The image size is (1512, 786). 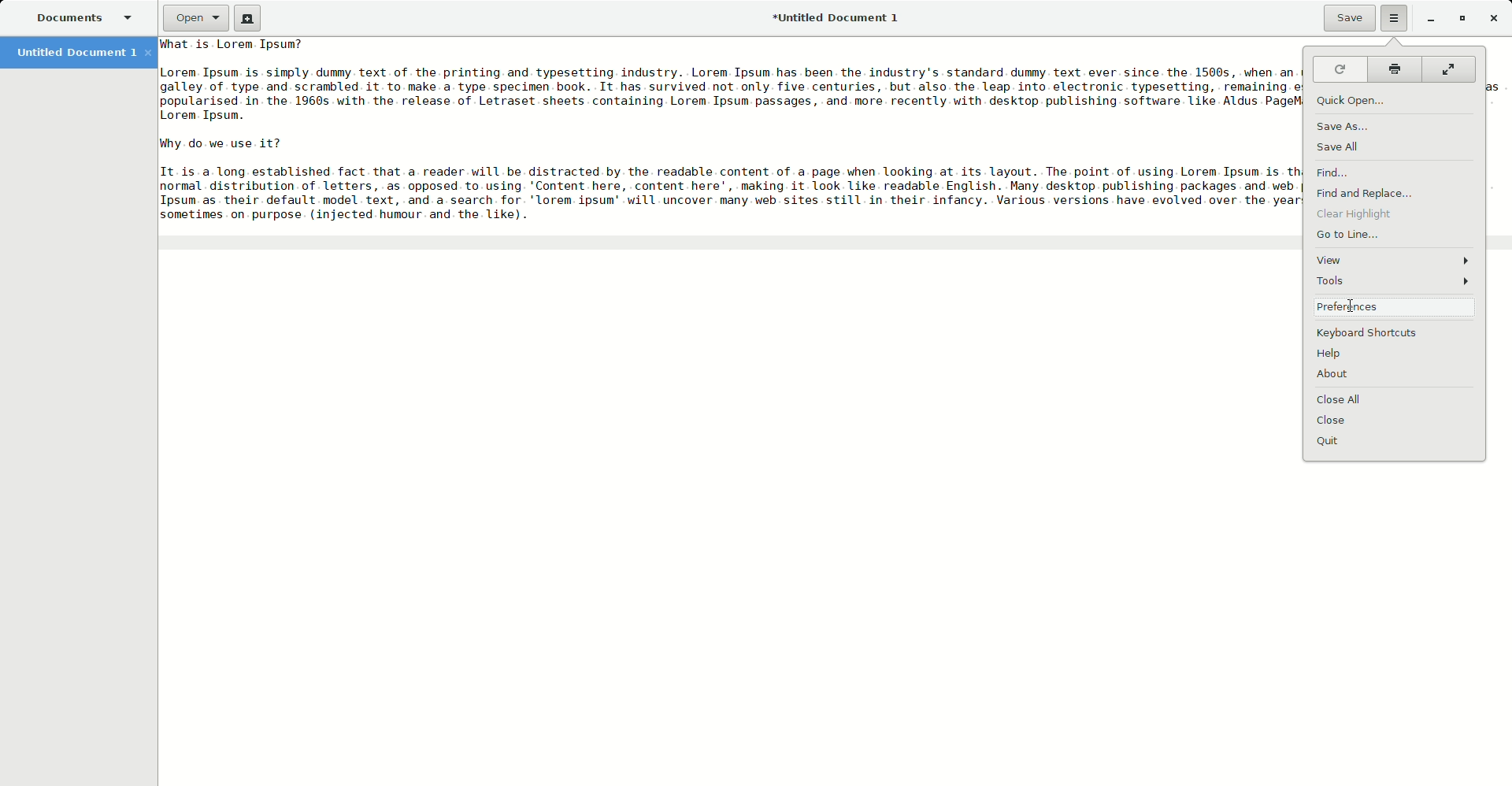 I want to click on New, so click(x=246, y=18).